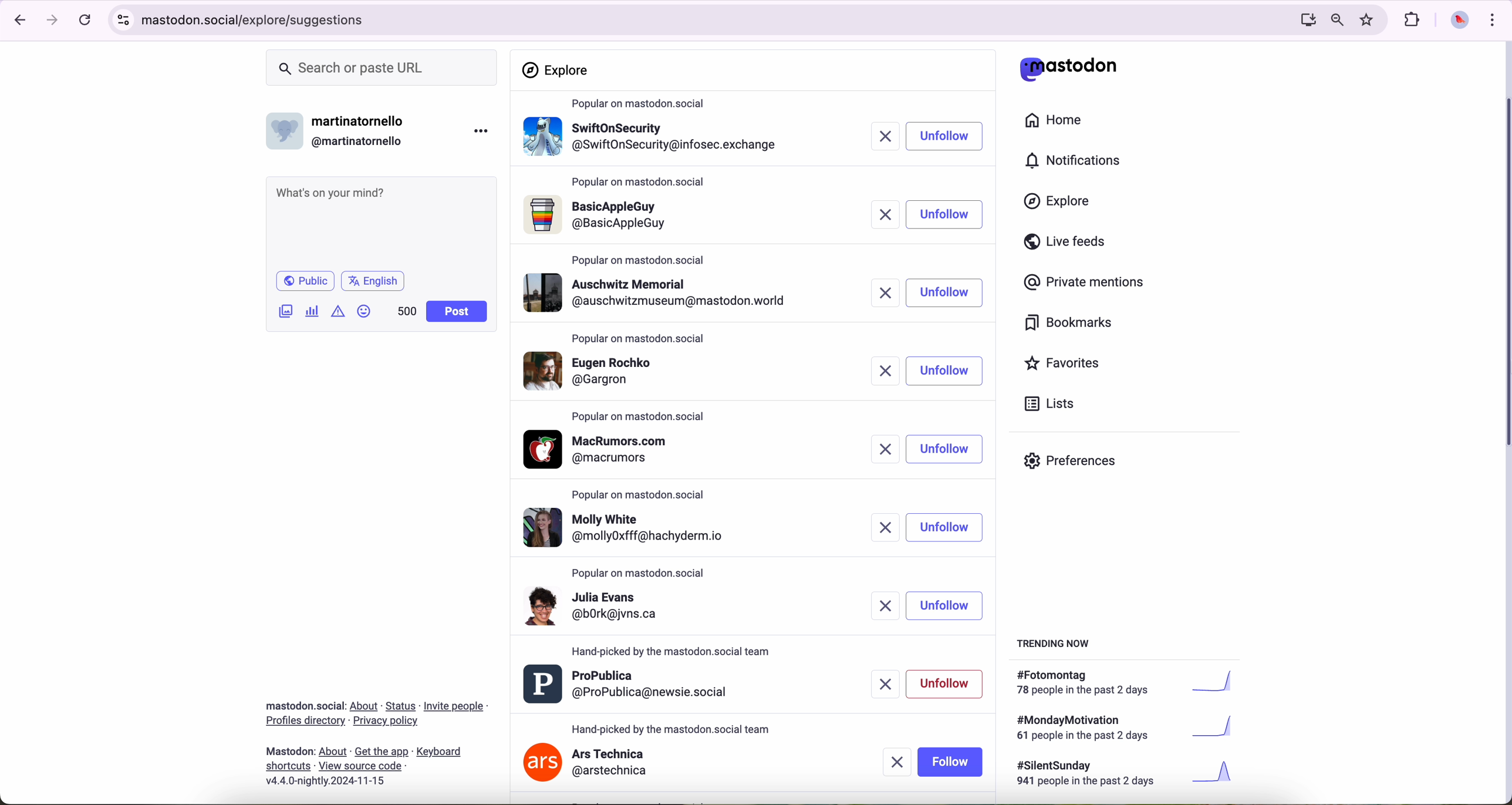  What do you see at coordinates (944, 372) in the screenshot?
I see `unfollow` at bounding box center [944, 372].